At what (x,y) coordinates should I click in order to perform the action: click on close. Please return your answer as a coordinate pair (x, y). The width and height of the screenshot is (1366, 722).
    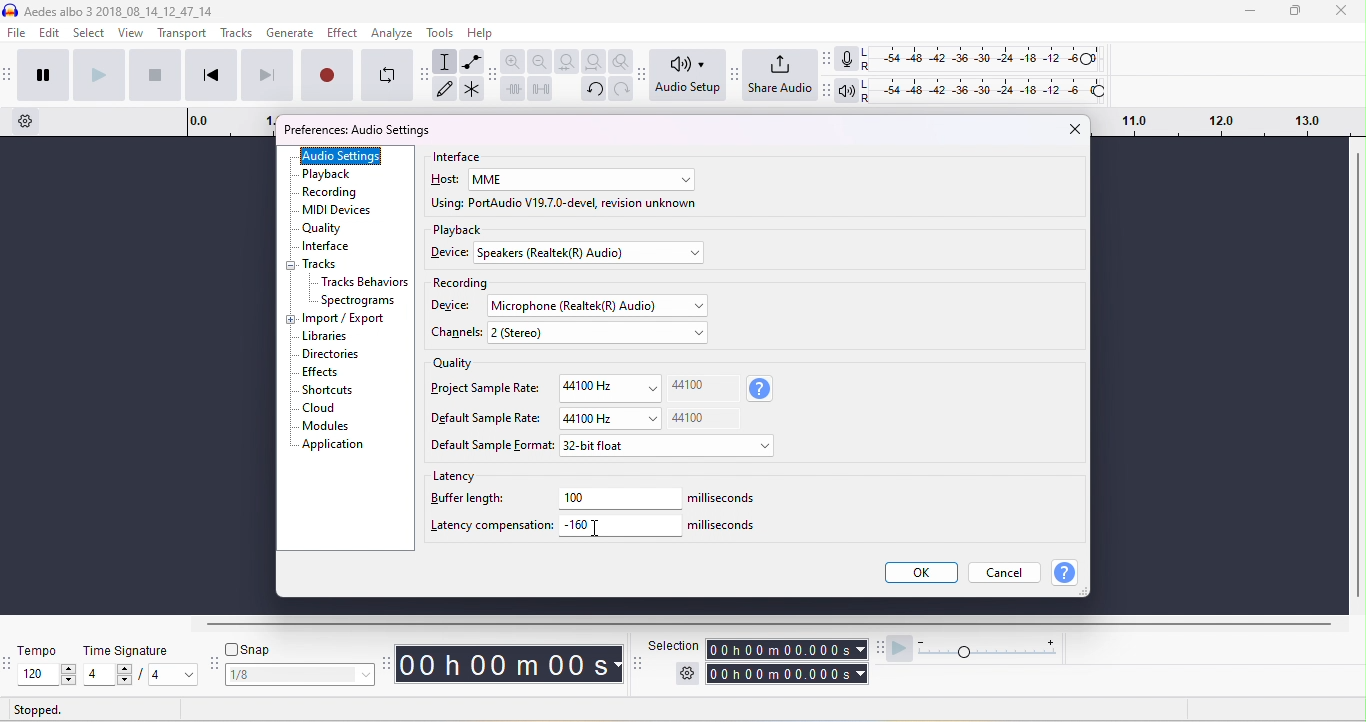
    Looking at the image, I should click on (1340, 12).